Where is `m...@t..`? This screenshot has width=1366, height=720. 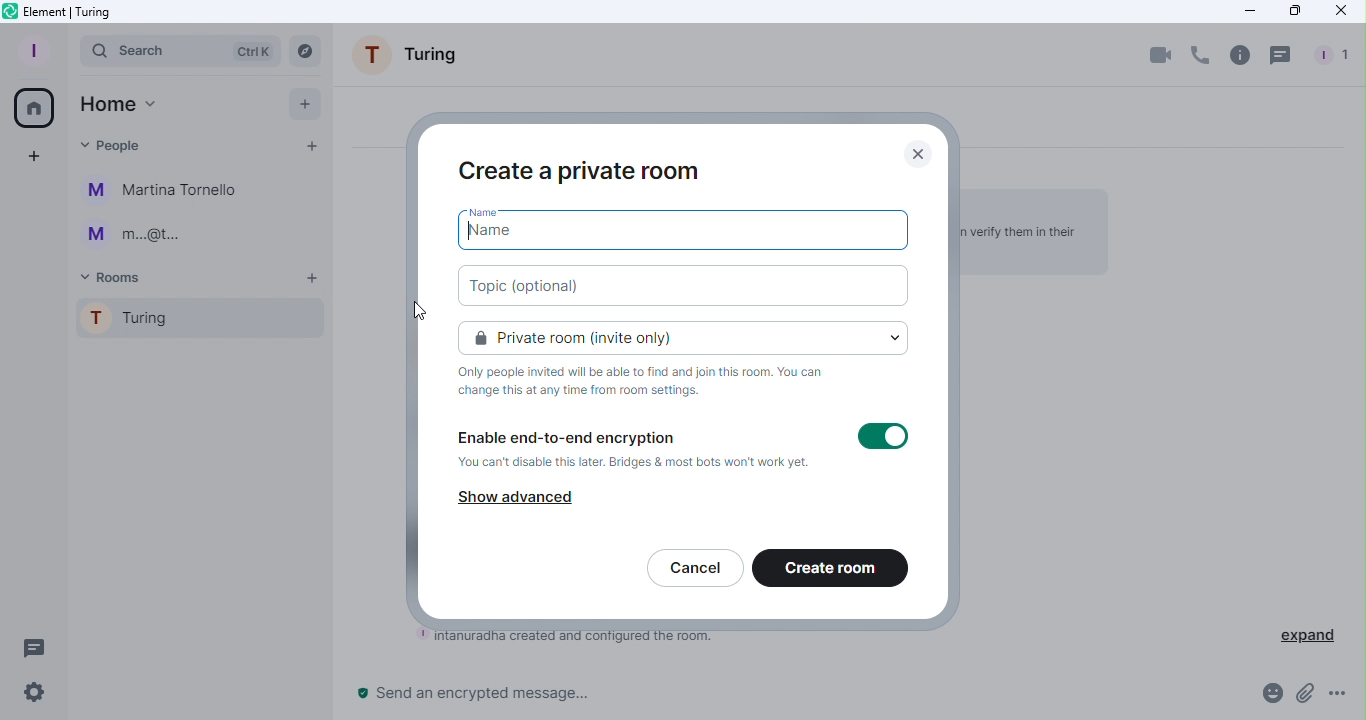 m...@t.. is located at coordinates (130, 235).